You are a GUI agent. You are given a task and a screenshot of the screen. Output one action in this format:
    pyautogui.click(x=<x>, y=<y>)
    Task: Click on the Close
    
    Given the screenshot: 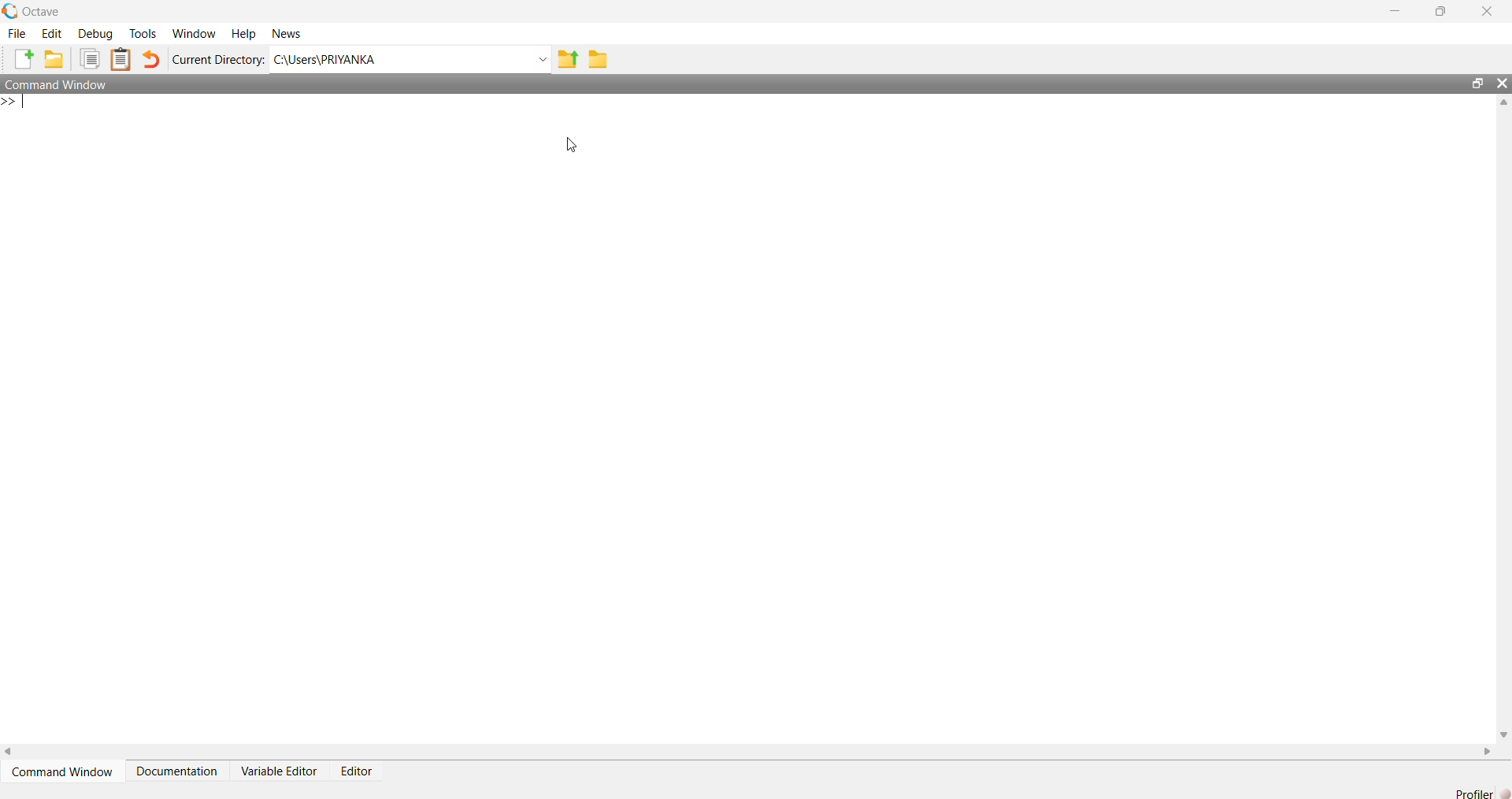 What is the action you would take?
    pyautogui.click(x=1502, y=86)
    